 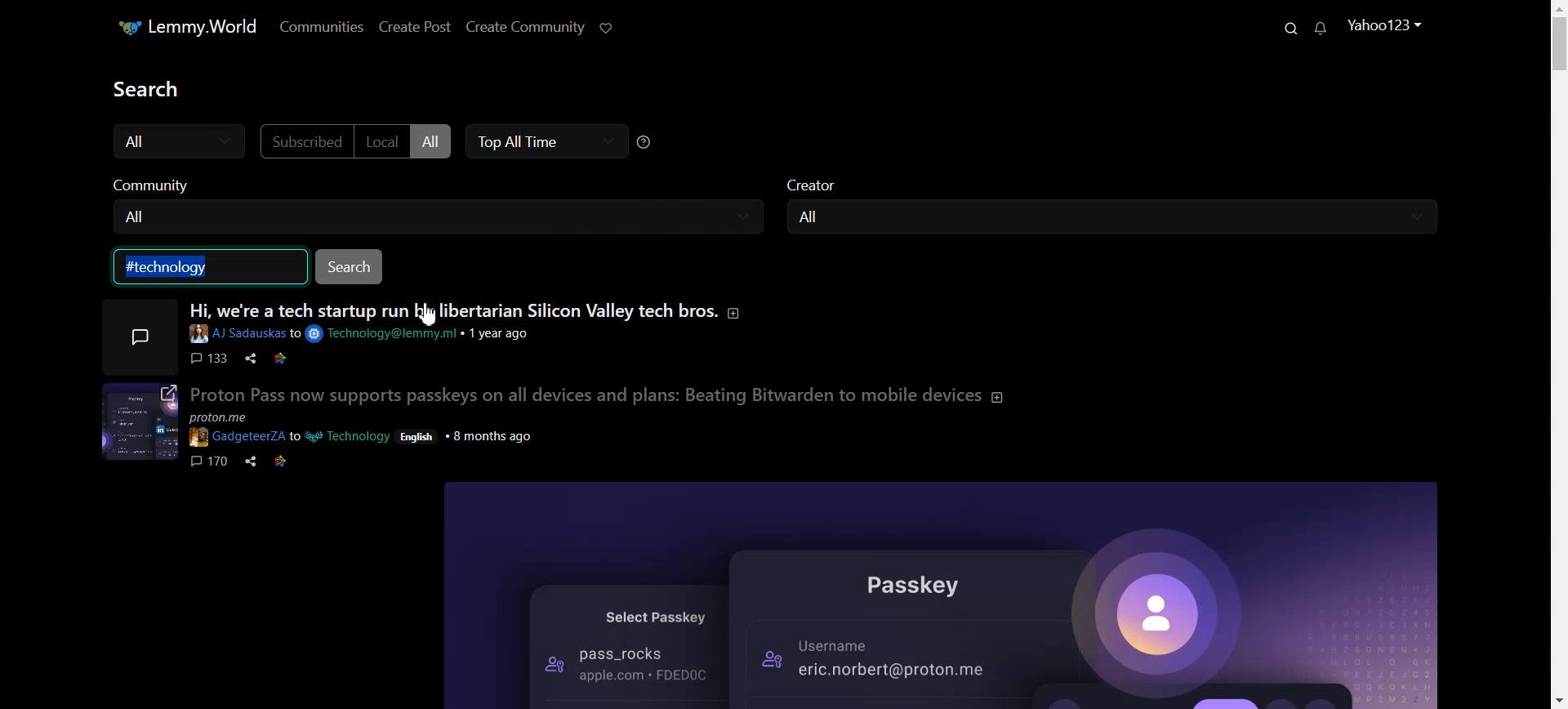 I want to click on Community, so click(x=443, y=186).